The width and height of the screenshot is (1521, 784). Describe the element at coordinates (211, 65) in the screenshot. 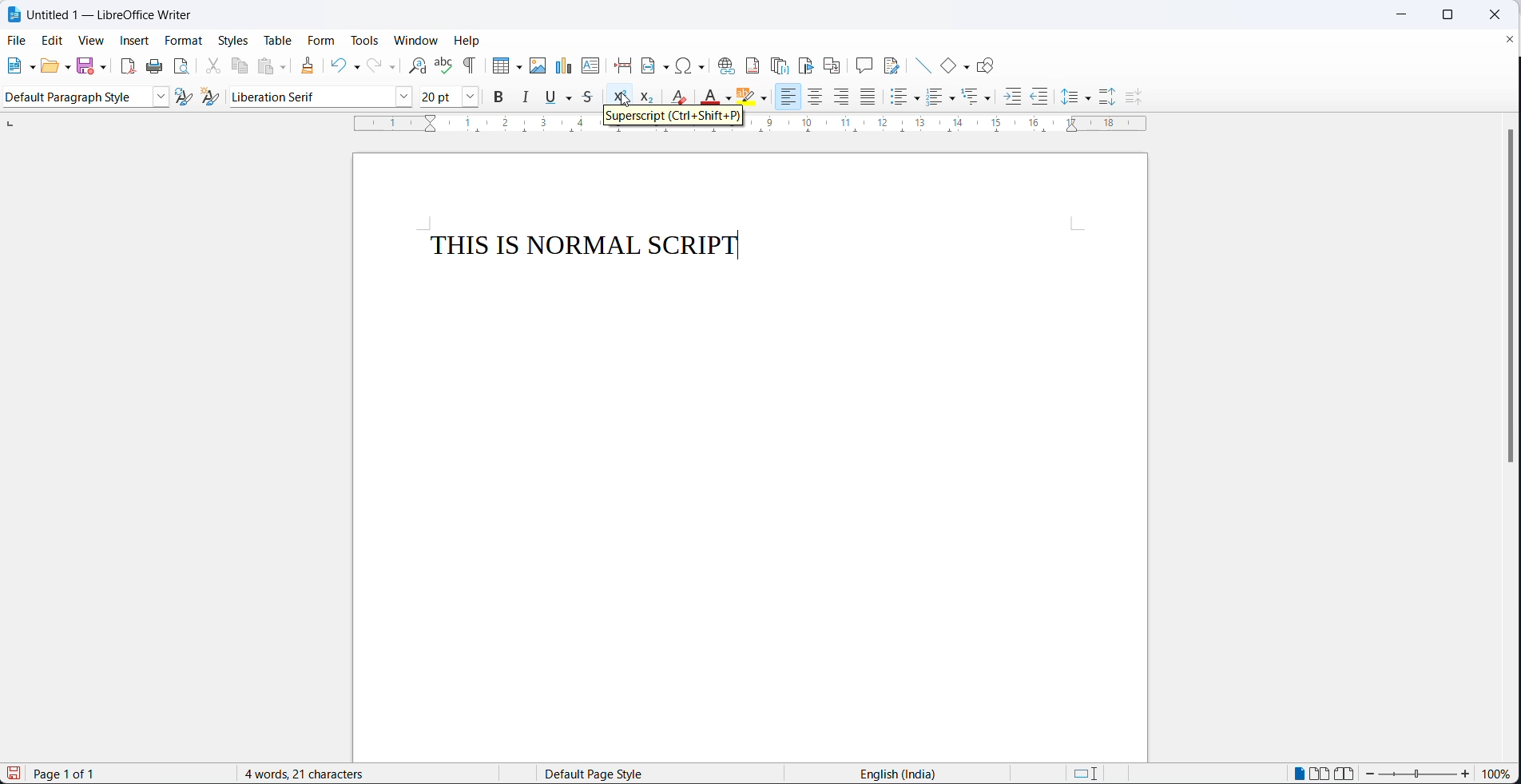

I see `cut` at that location.